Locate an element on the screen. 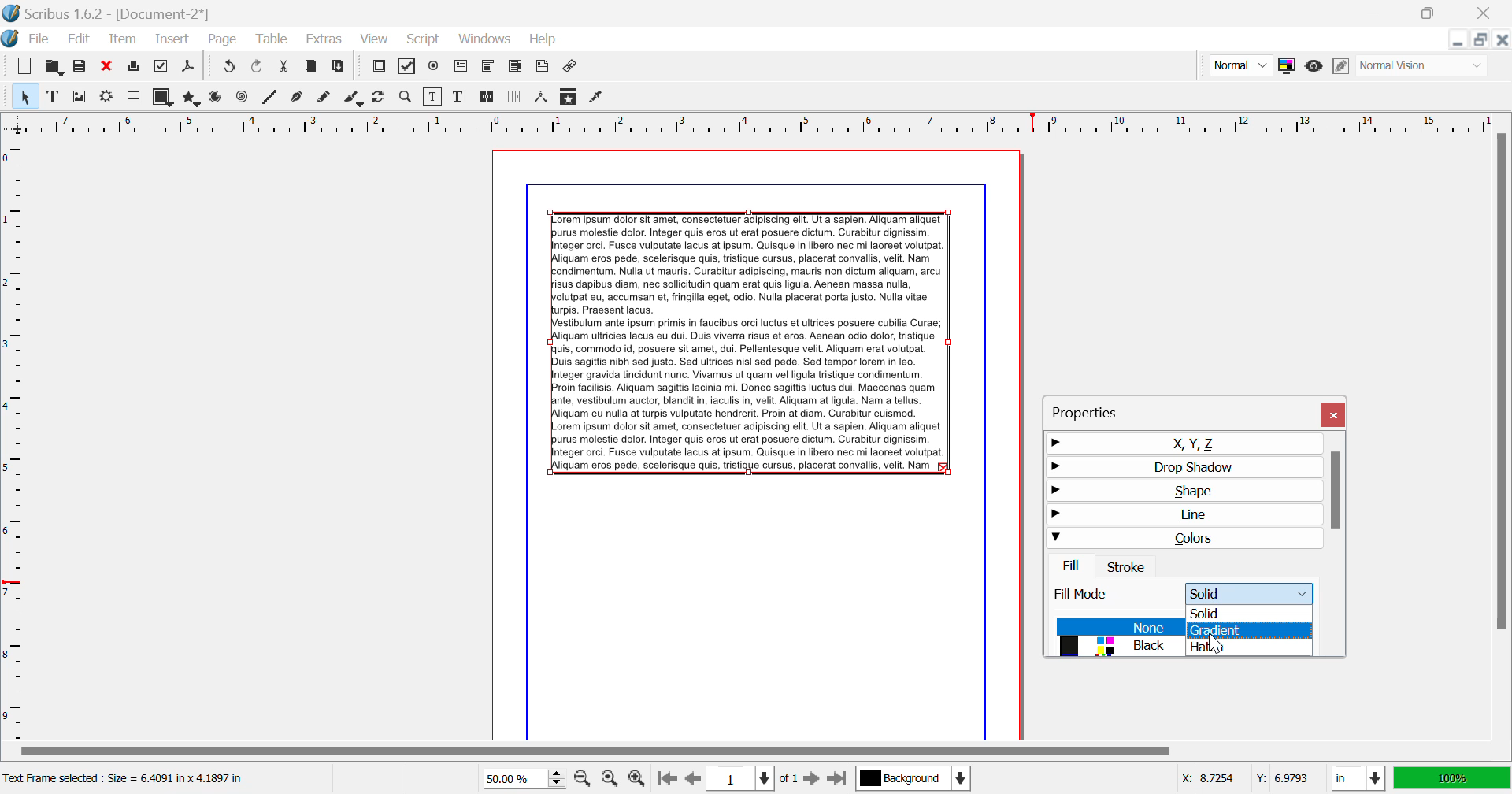 This screenshot has width=1512, height=794. Black is located at coordinates (1116, 647).